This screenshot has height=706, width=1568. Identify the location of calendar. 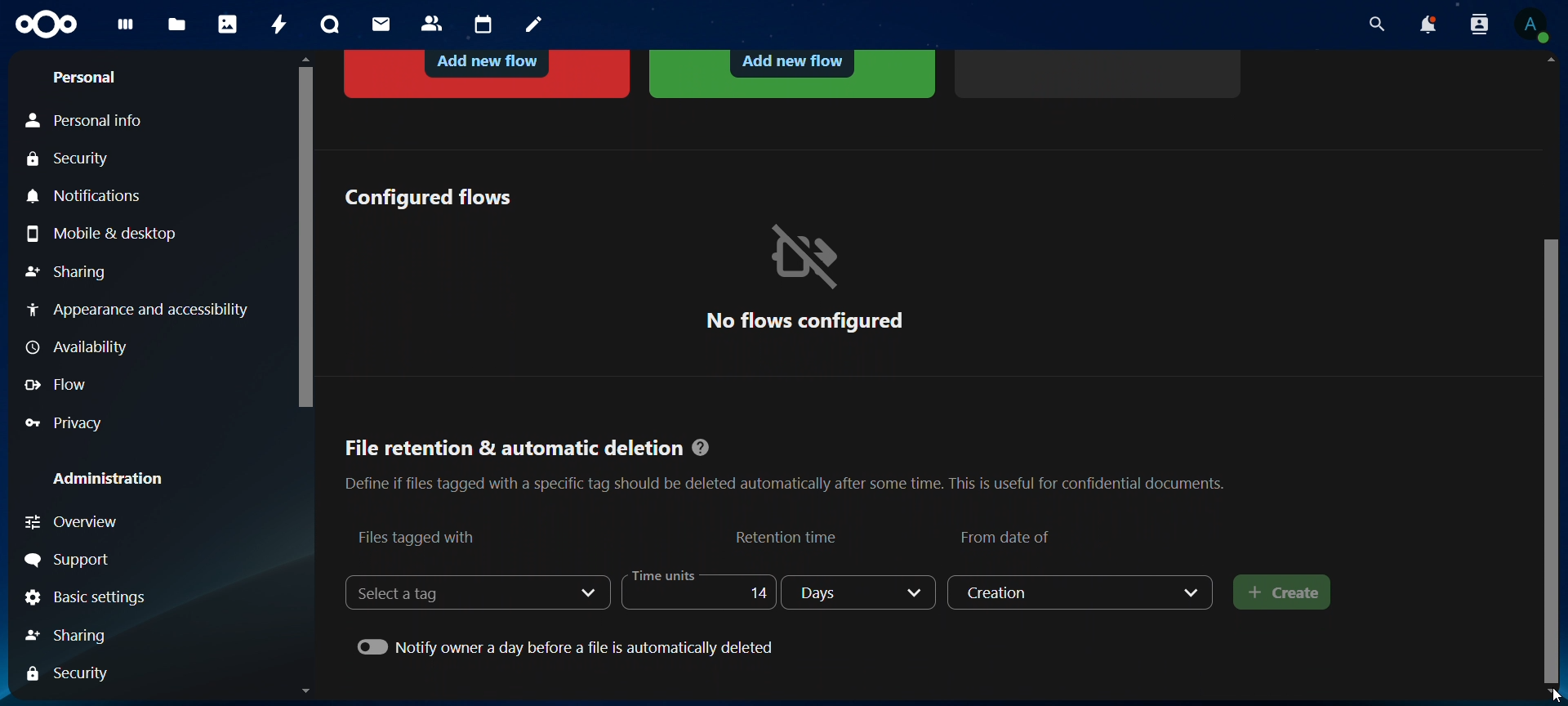
(484, 25).